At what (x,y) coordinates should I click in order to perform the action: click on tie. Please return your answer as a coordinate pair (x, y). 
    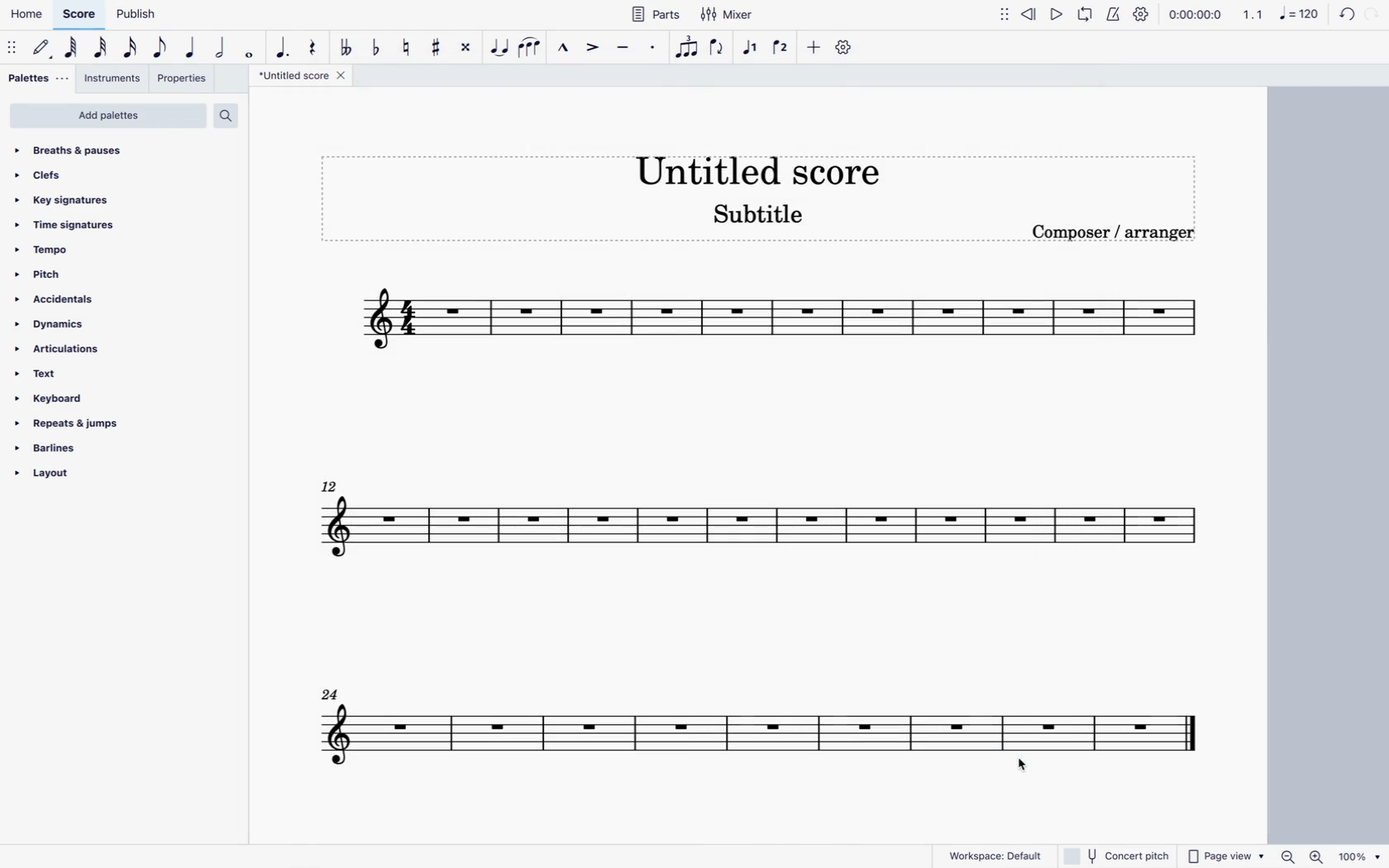
    Looking at the image, I should click on (500, 51).